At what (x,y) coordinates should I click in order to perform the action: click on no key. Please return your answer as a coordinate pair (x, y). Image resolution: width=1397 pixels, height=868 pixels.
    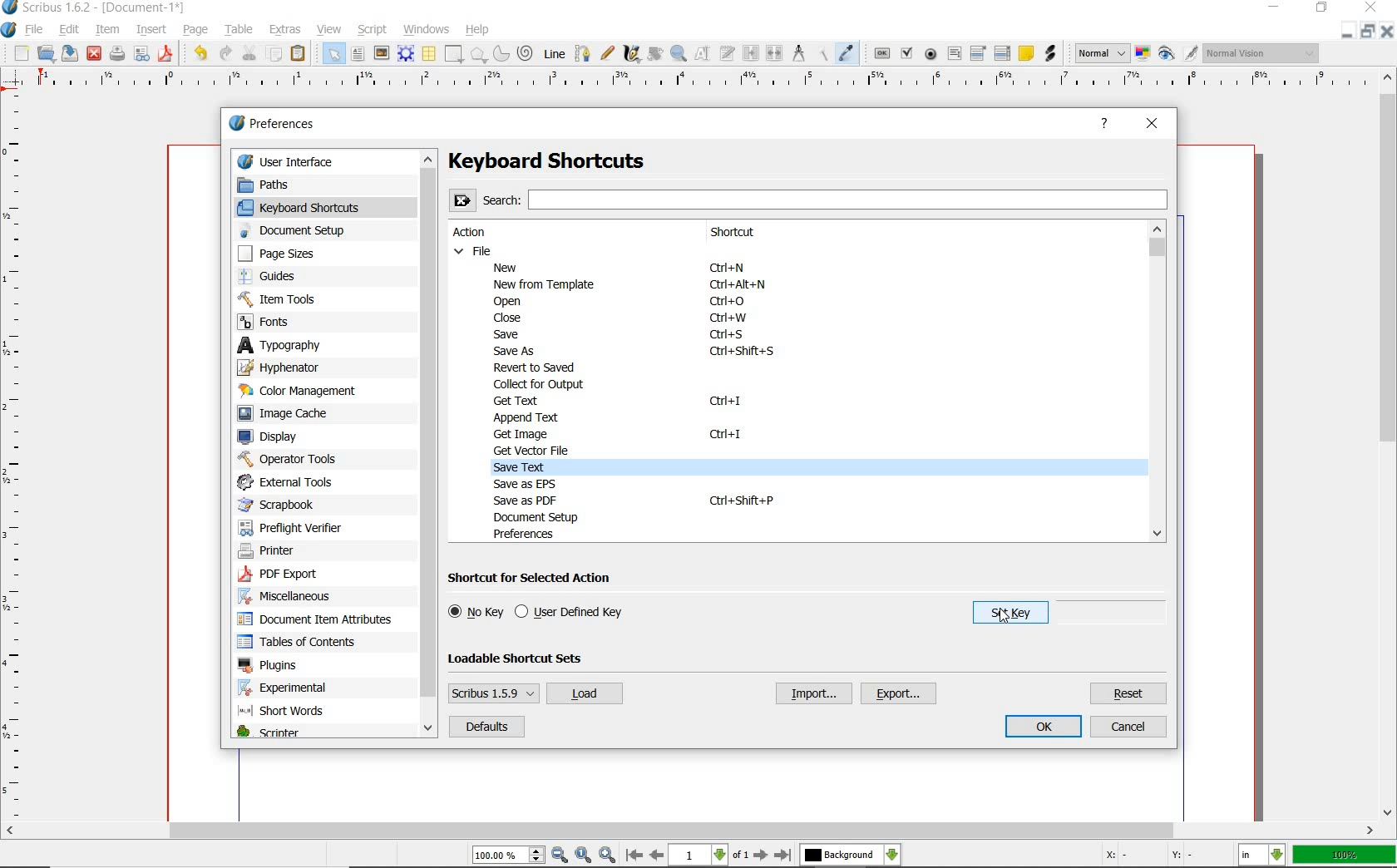
    Looking at the image, I should click on (476, 612).